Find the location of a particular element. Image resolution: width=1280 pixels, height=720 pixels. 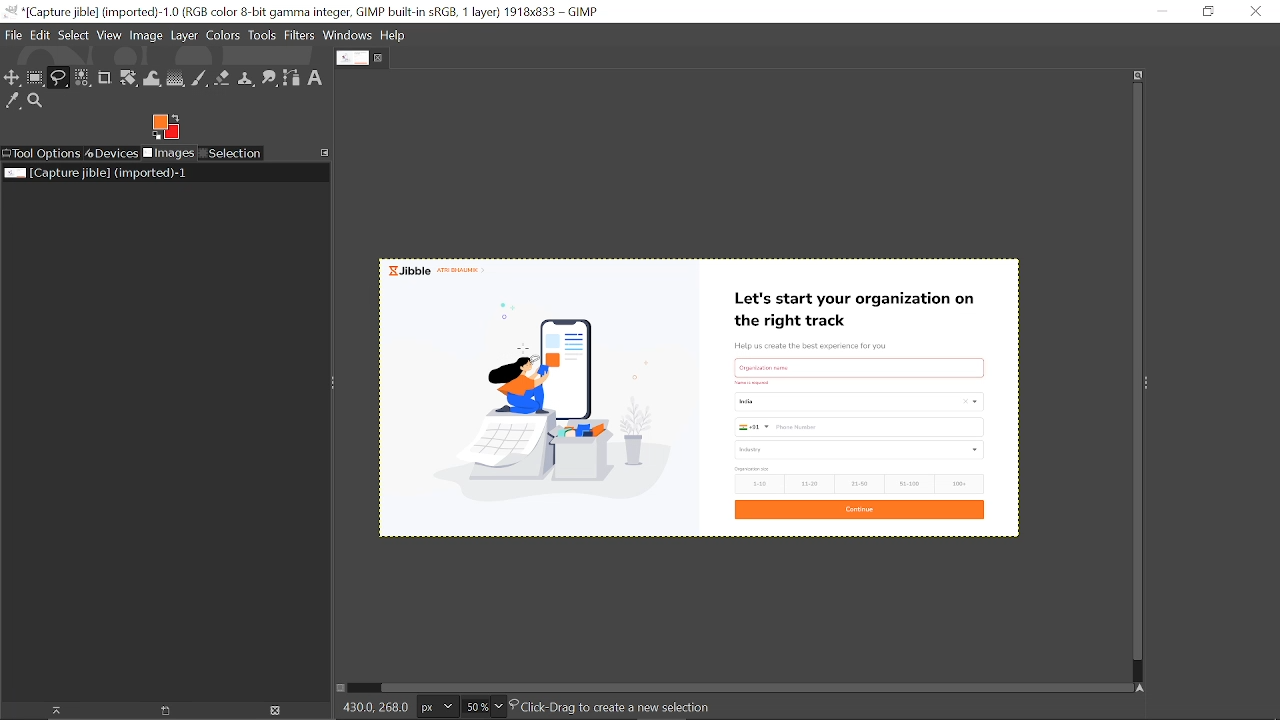

Current image is located at coordinates (702, 396).